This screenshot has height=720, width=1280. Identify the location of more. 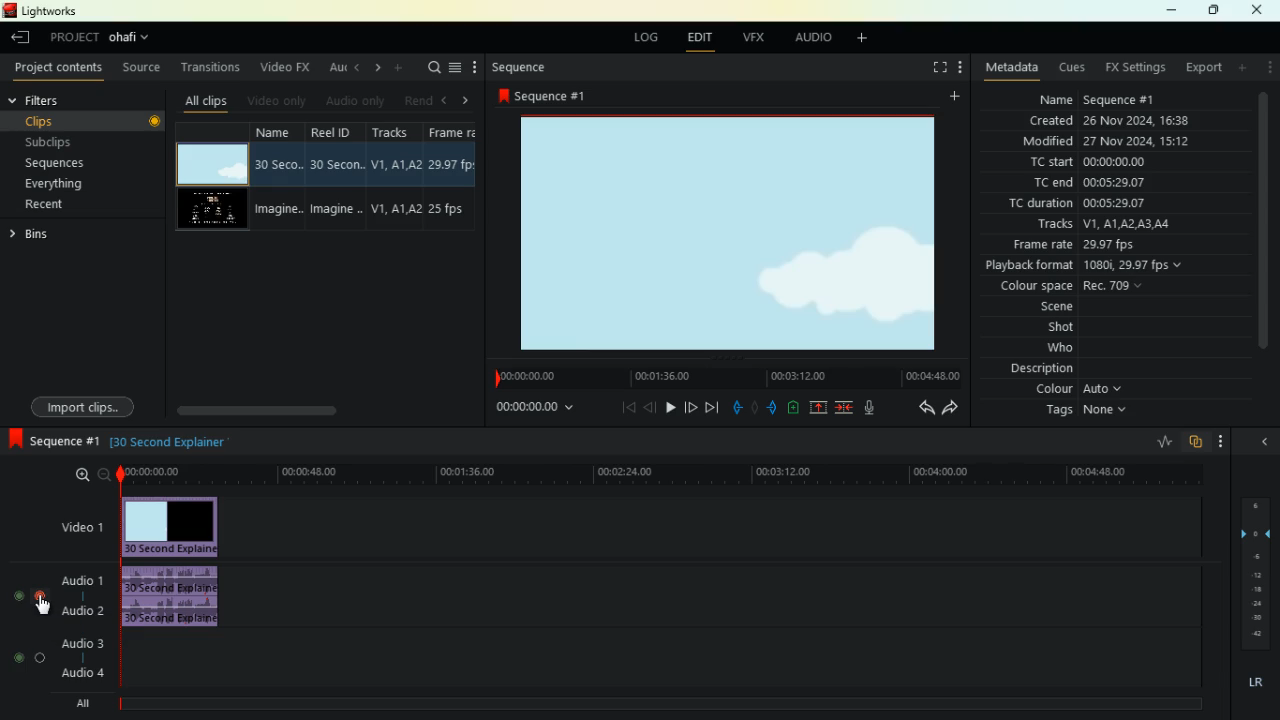
(1220, 441).